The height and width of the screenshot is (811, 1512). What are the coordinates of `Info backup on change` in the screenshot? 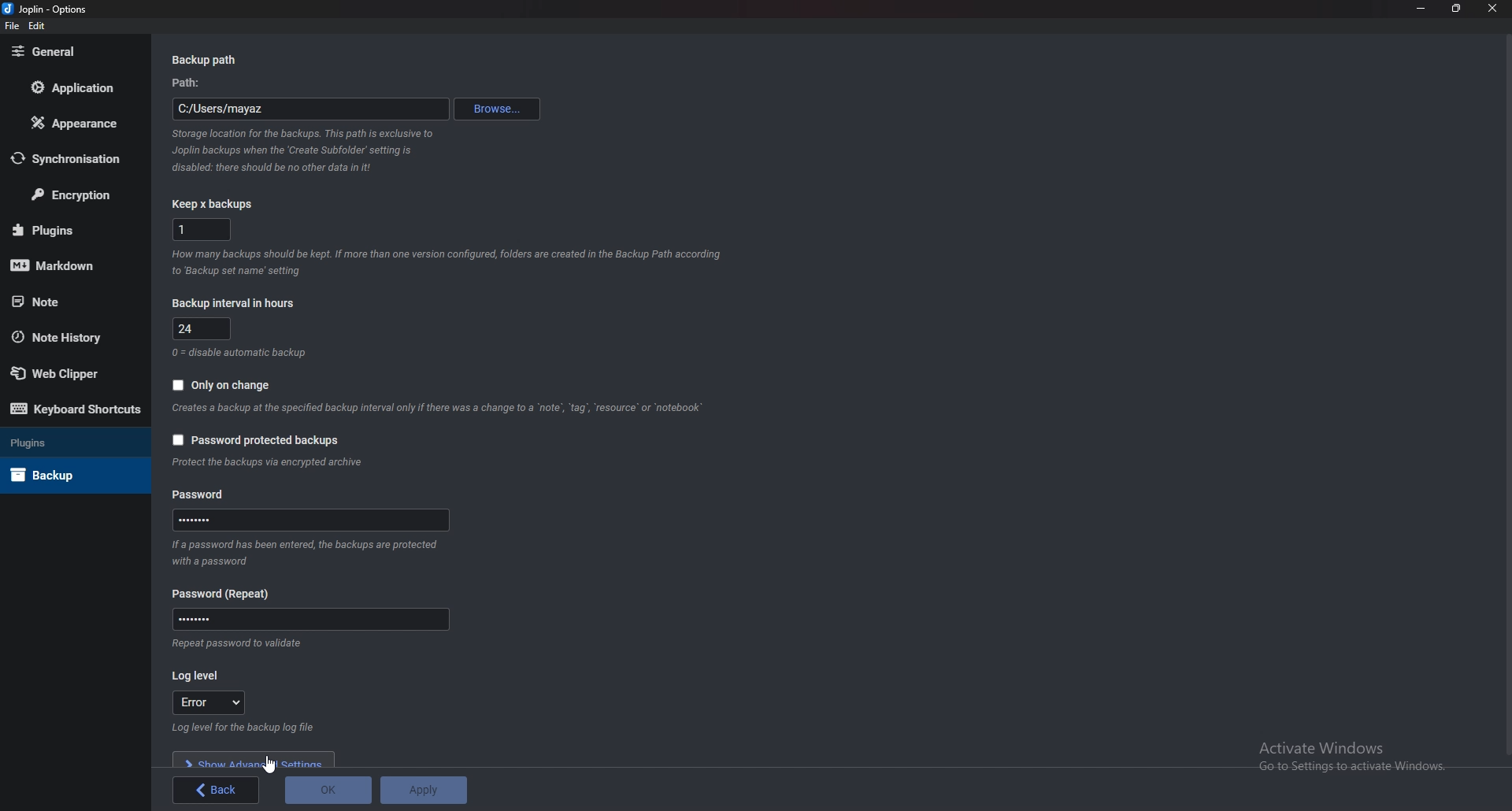 It's located at (439, 409).